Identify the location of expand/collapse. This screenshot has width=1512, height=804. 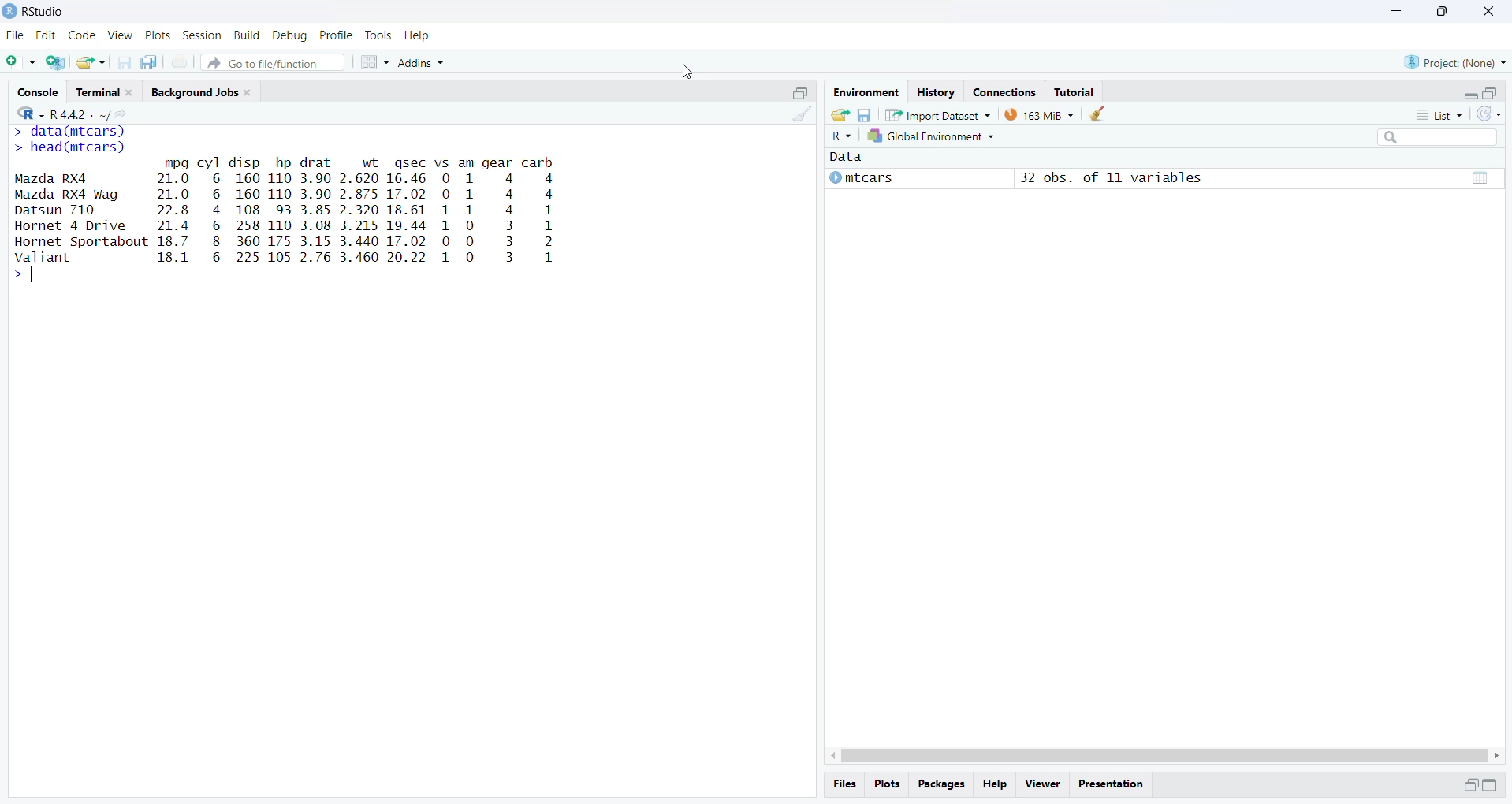
(1491, 784).